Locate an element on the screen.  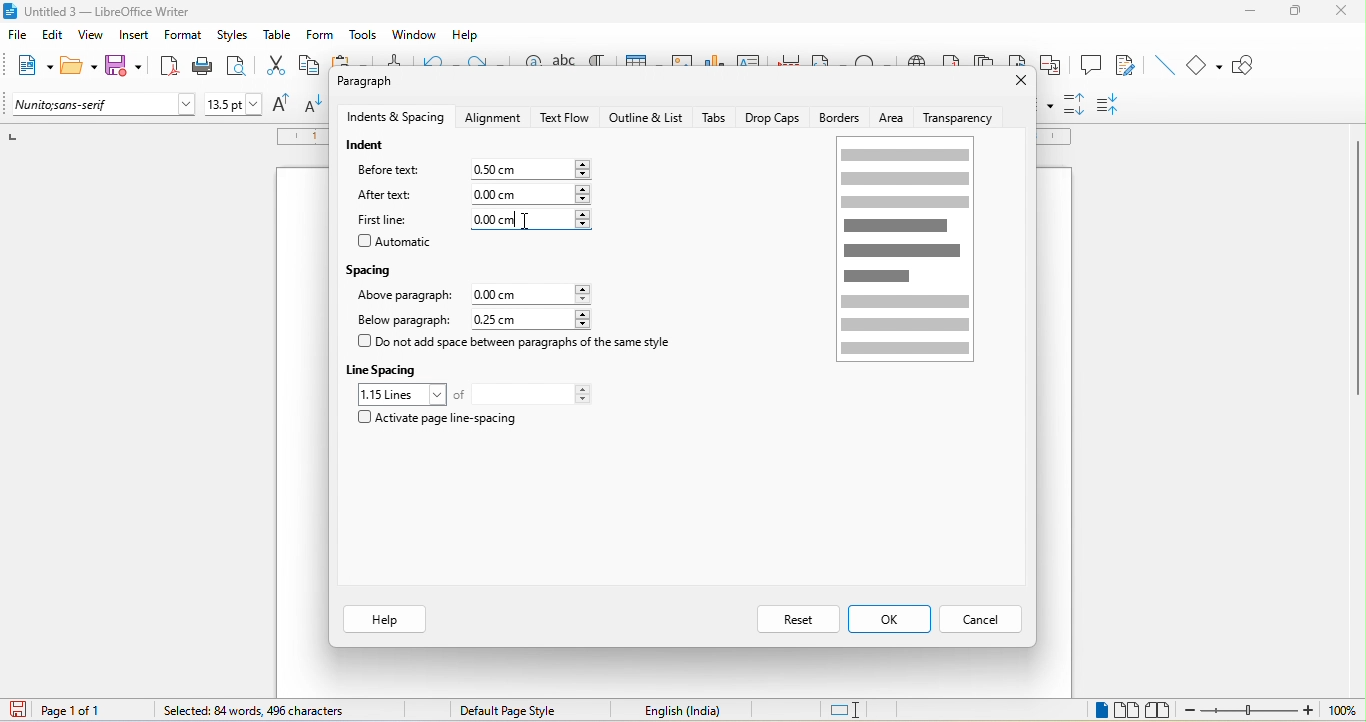
total lines is located at coordinates (531, 394).